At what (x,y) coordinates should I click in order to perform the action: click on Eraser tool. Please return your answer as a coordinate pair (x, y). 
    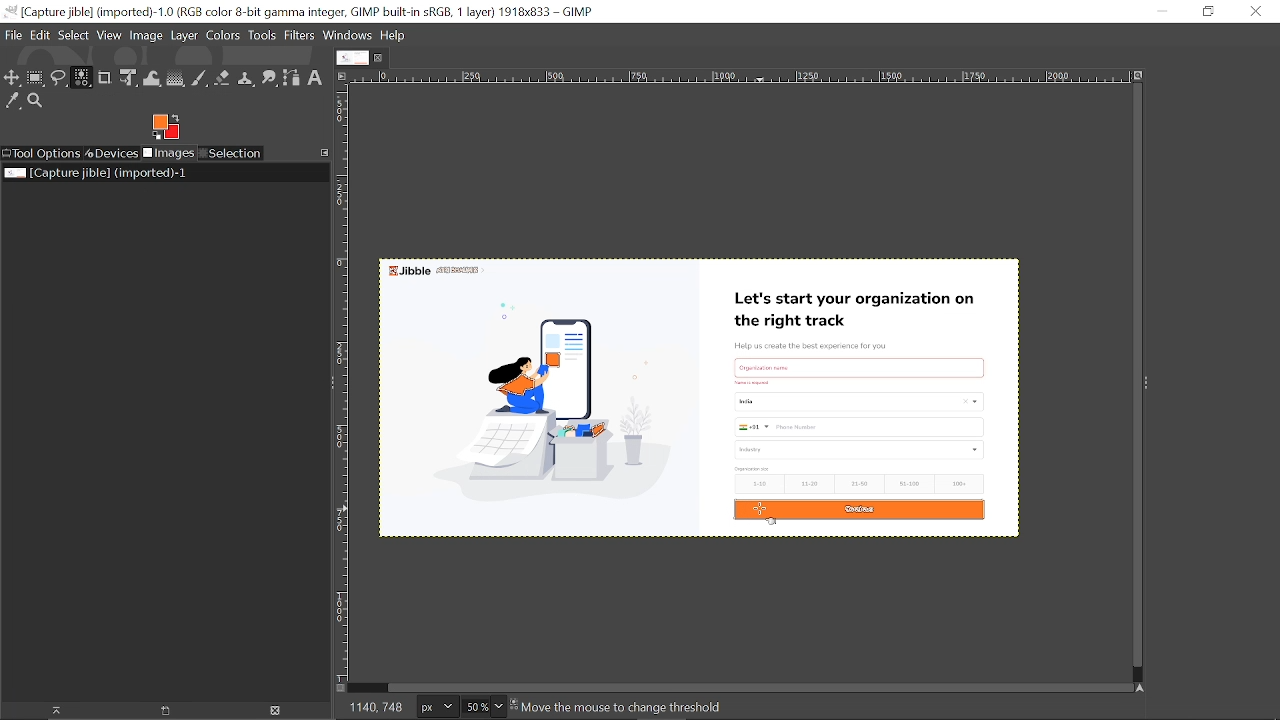
    Looking at the image, I should click on (222, 78).